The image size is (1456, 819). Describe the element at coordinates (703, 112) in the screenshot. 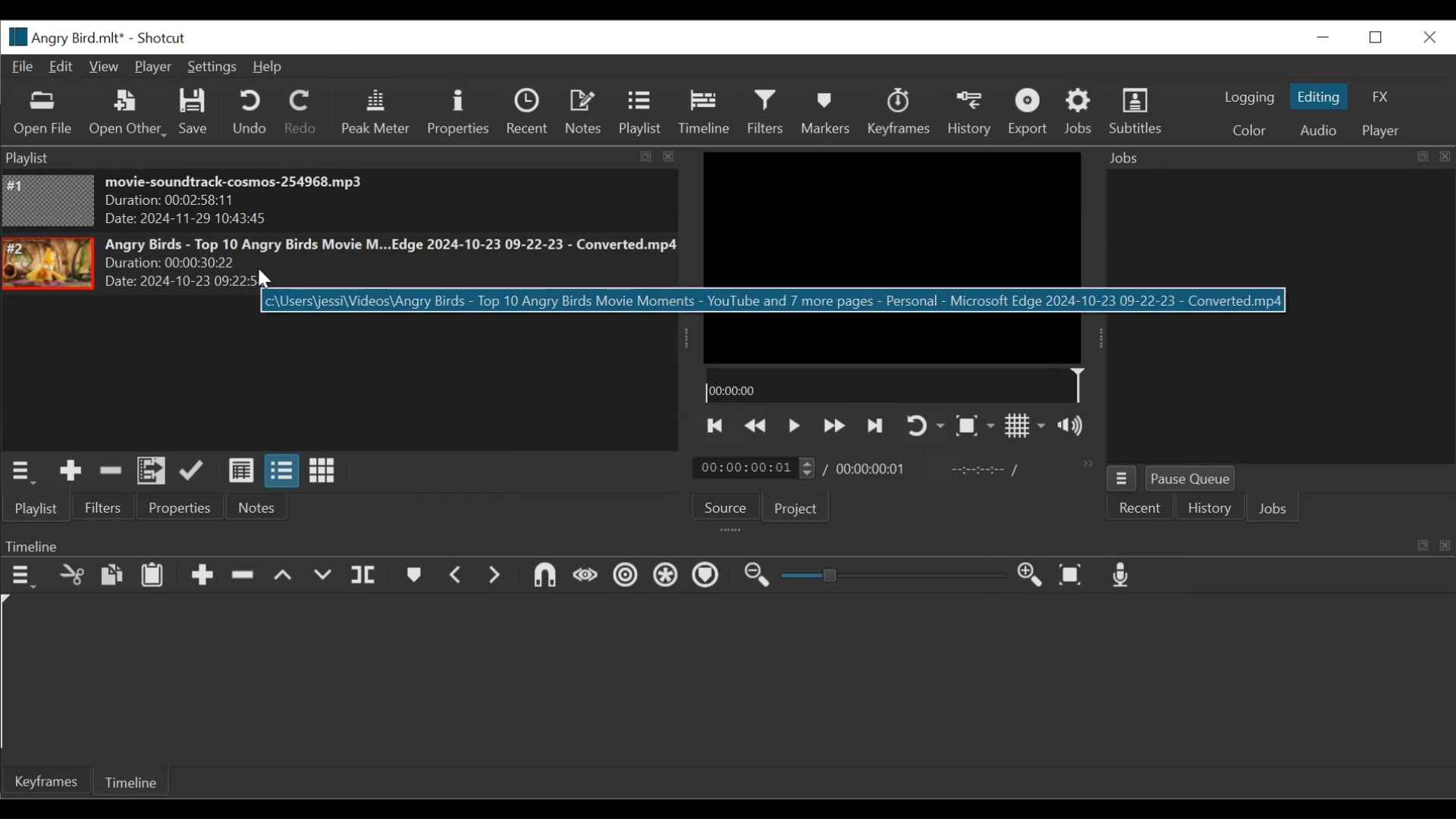

I see `Timeline` at that location.